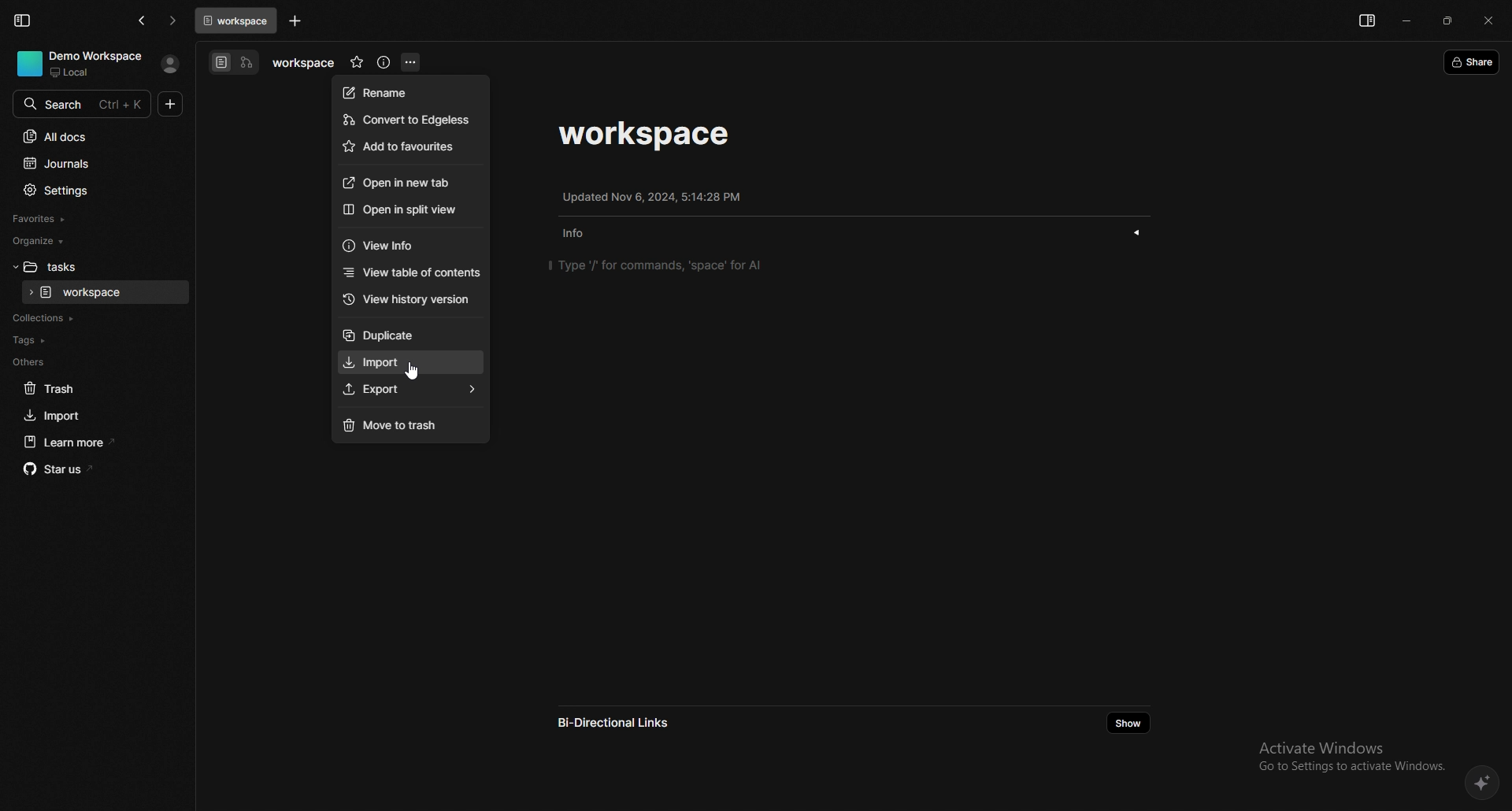  Describe the element at coordinates (410, 363) in the screenshot. I see `import` at that location.